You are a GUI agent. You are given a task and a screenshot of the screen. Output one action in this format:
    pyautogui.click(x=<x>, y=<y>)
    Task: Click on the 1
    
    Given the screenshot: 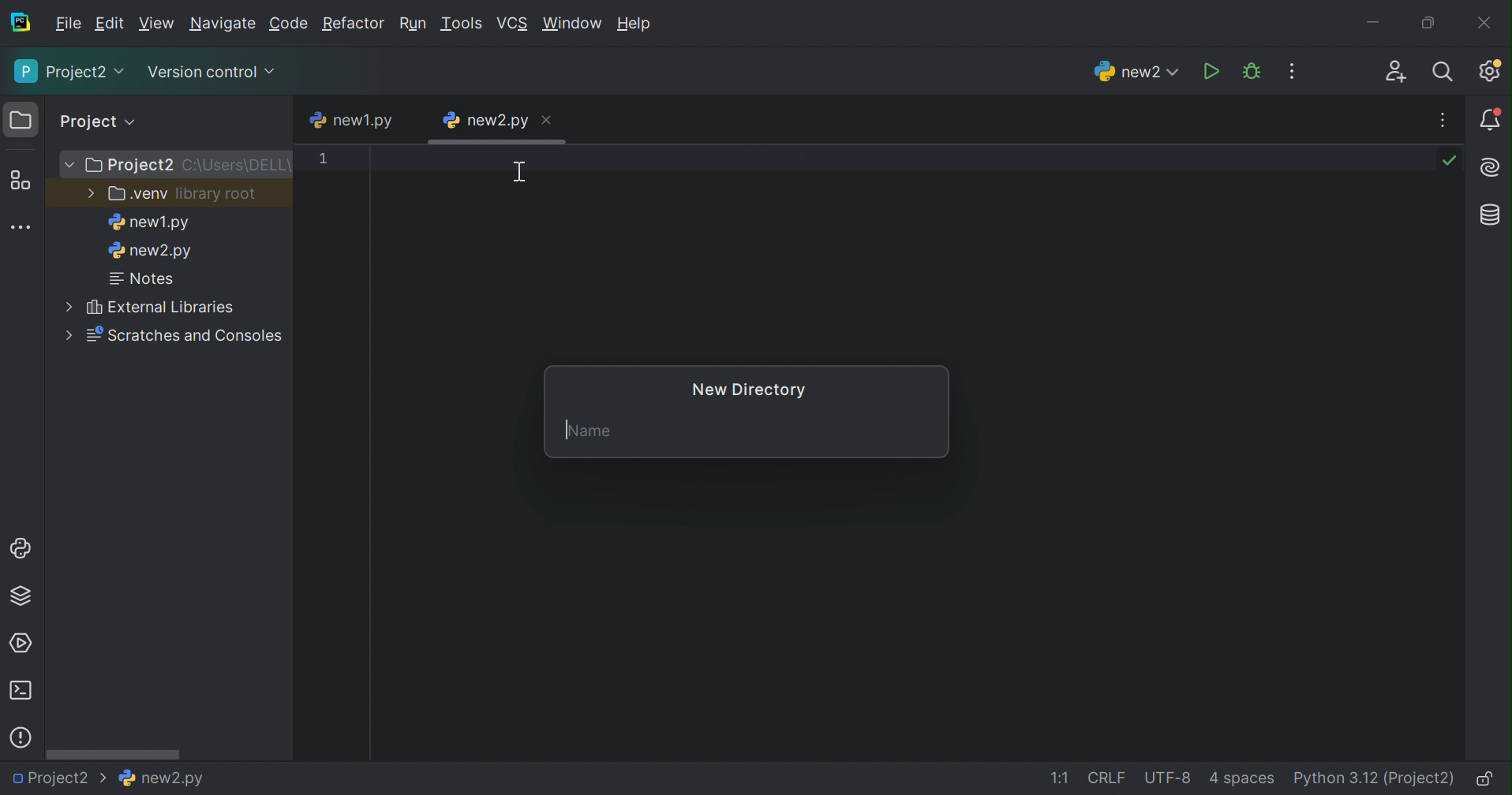 What is the action you would take?
    pyautogui.click(x=324, y=161)
    